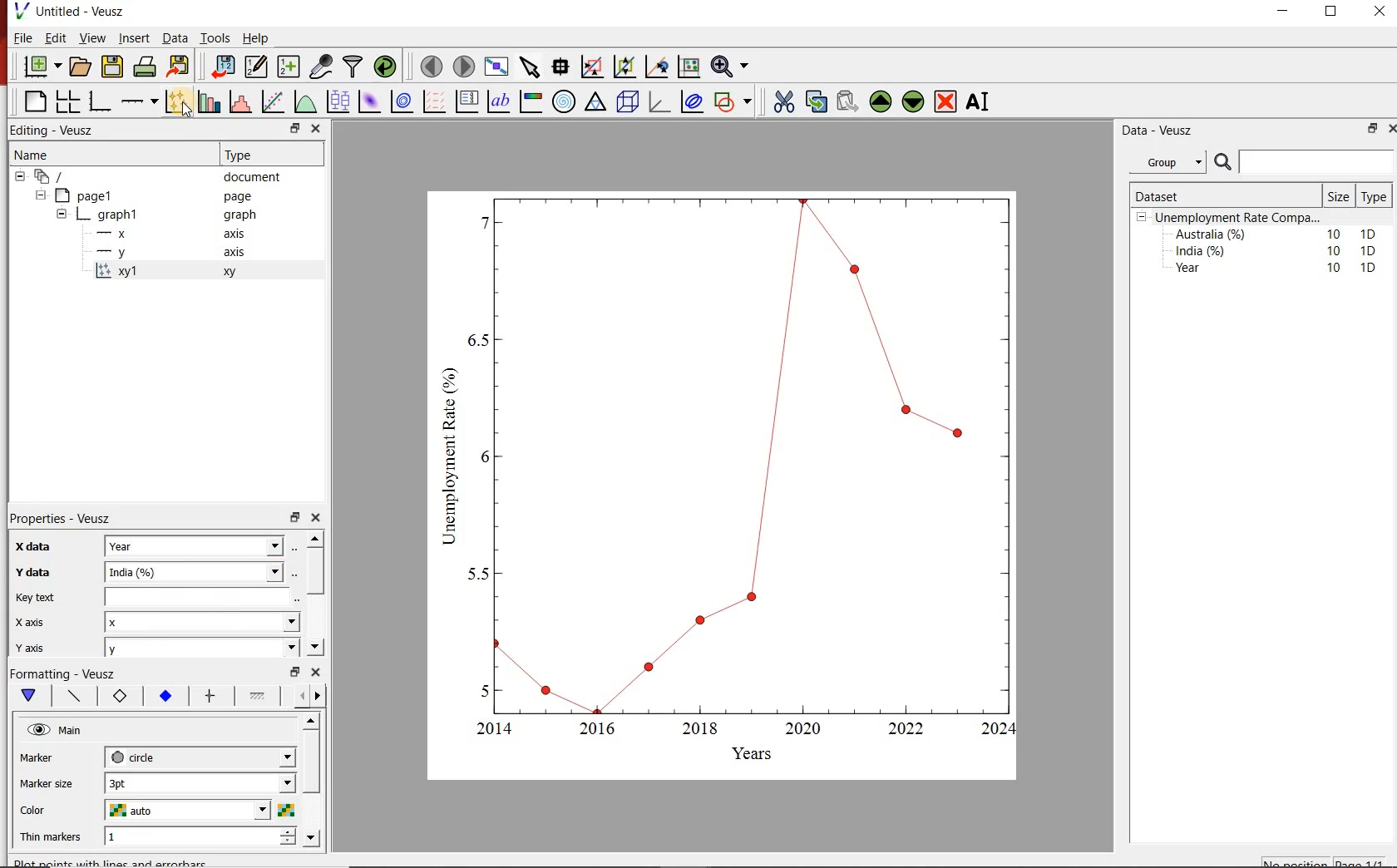  What do you see at coordinates (498, 66) in the screenshot?
I see `view plot on full screen` at bounding box center [498, 66].